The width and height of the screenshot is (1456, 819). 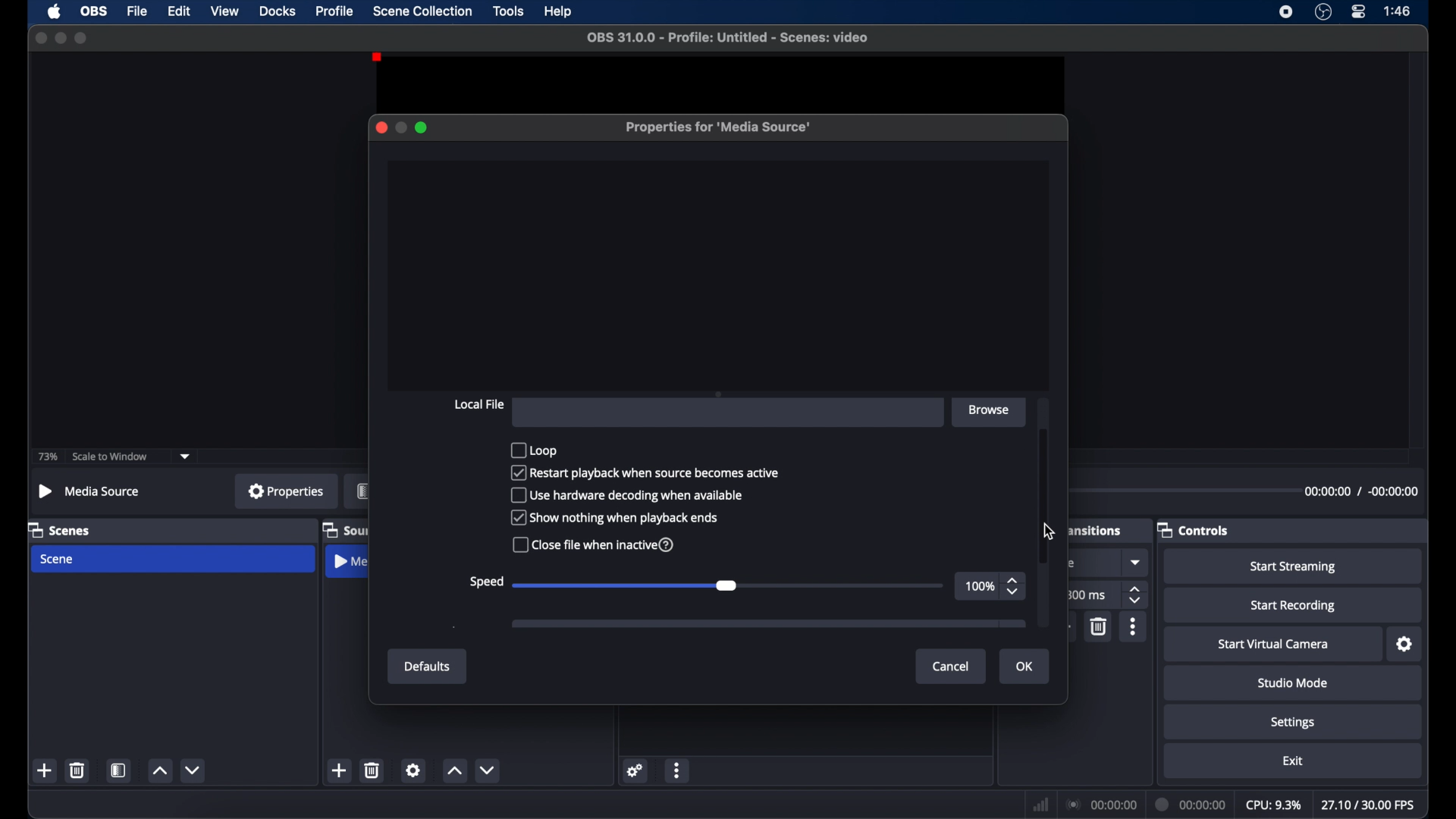 What do you see at coordinates (1100, 626) in the screenshot?
I see `delete` at bounding box center [1100, 626].